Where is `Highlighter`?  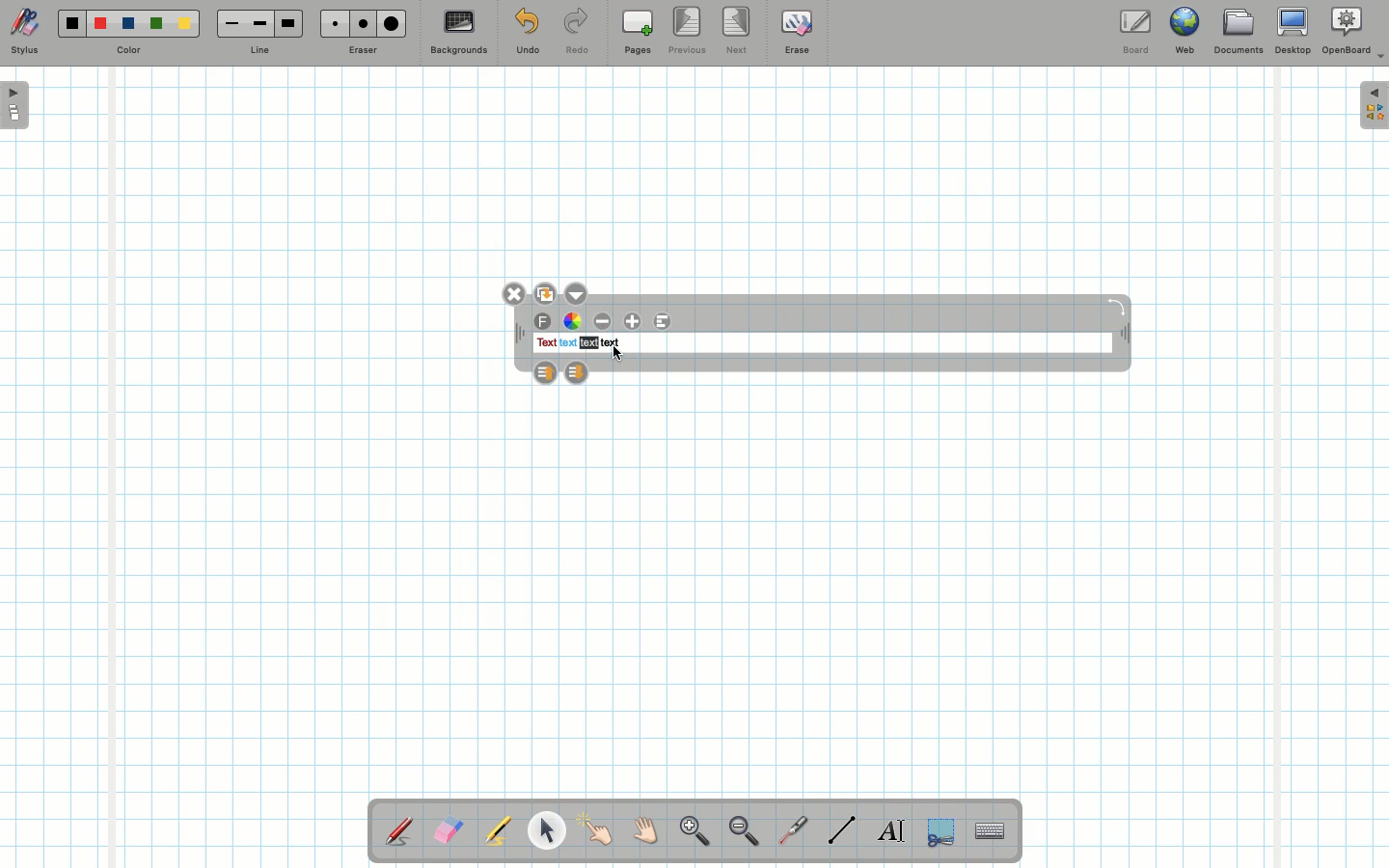 Highlighter is located at coordinates (496, 832).